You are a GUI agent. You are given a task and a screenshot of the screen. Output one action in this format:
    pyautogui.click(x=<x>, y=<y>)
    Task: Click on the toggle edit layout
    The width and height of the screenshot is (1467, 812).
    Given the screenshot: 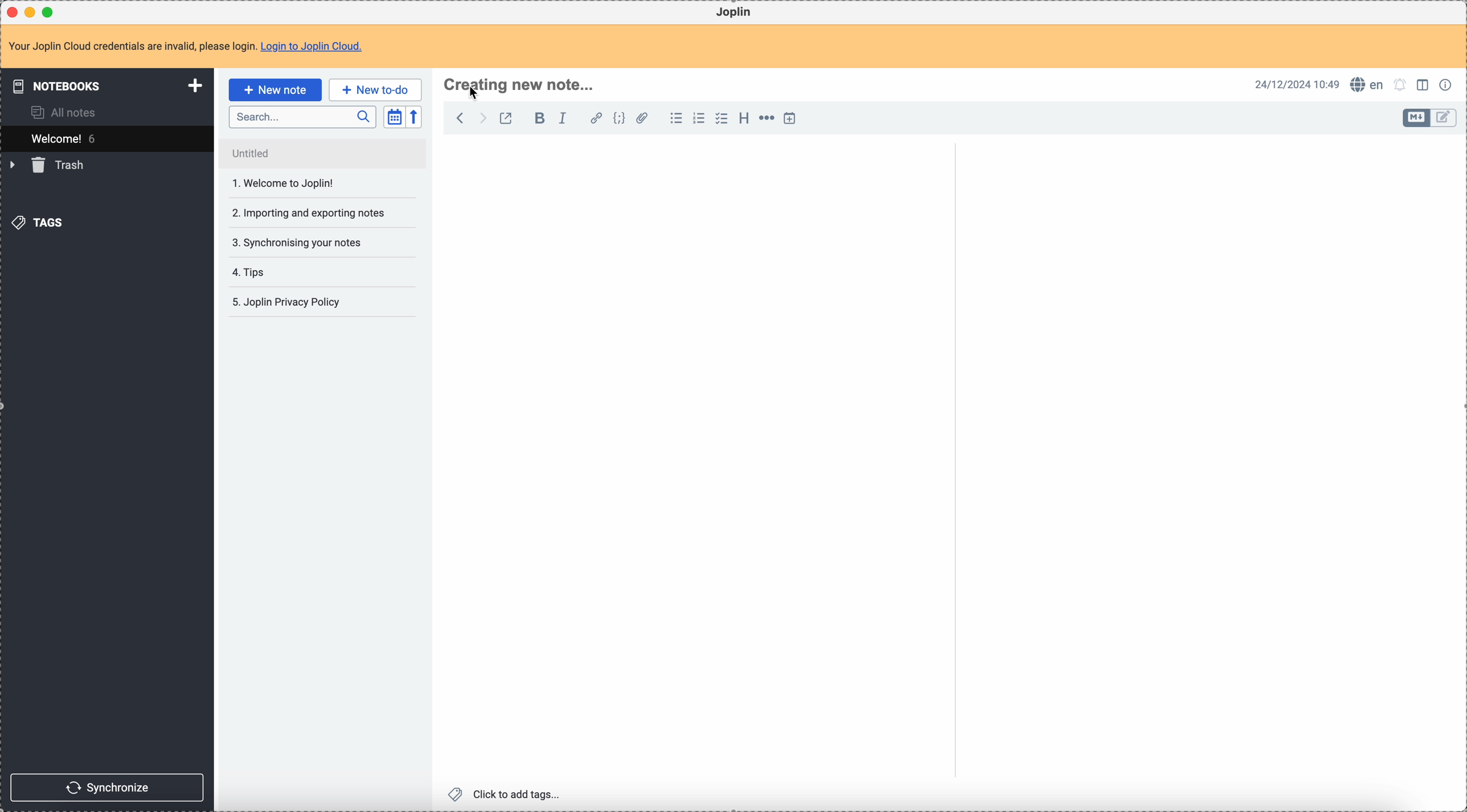 What is the action you would take?
    pyautogui.click(x=1425, y=87)
    